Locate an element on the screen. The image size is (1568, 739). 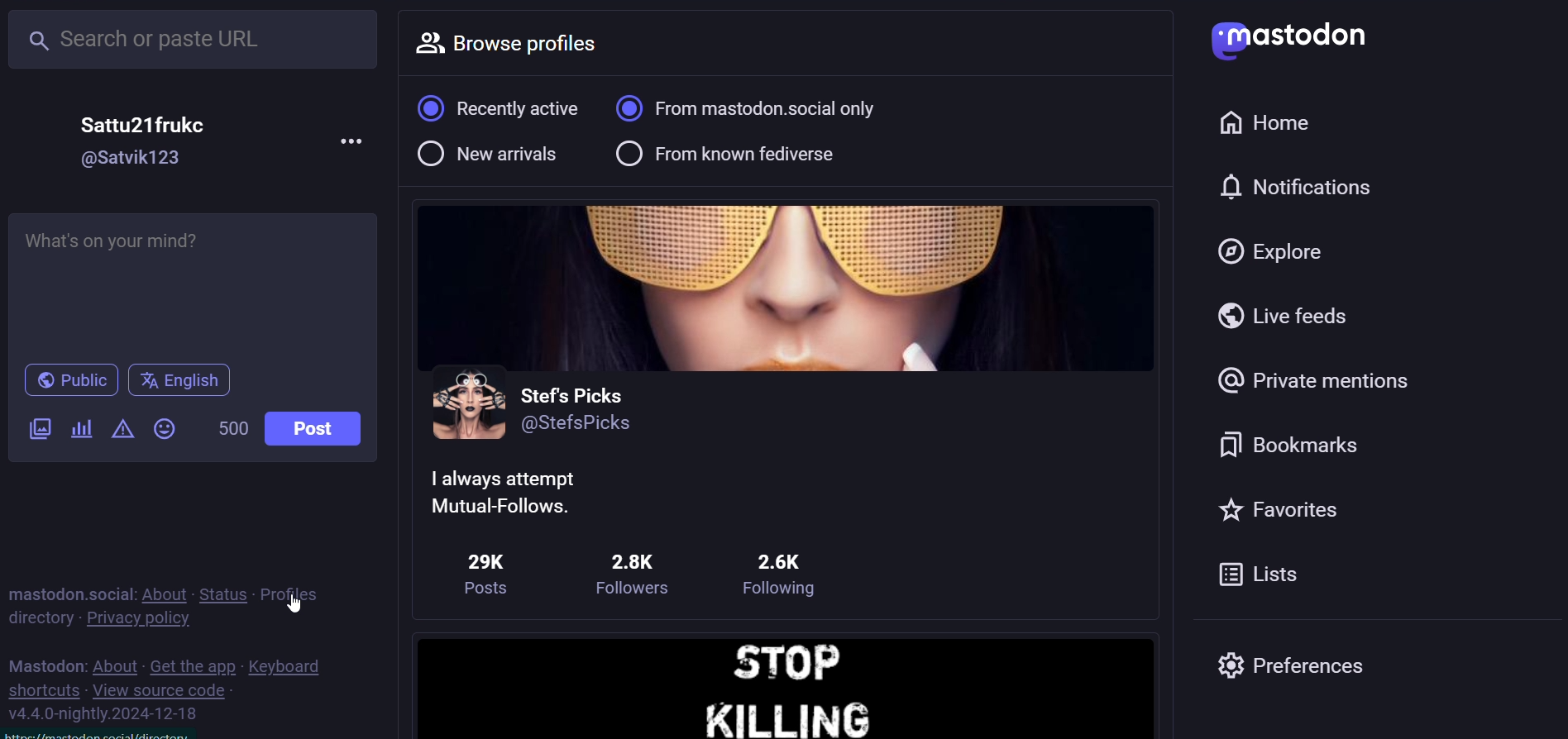
search is located at coordinates (196, 38).